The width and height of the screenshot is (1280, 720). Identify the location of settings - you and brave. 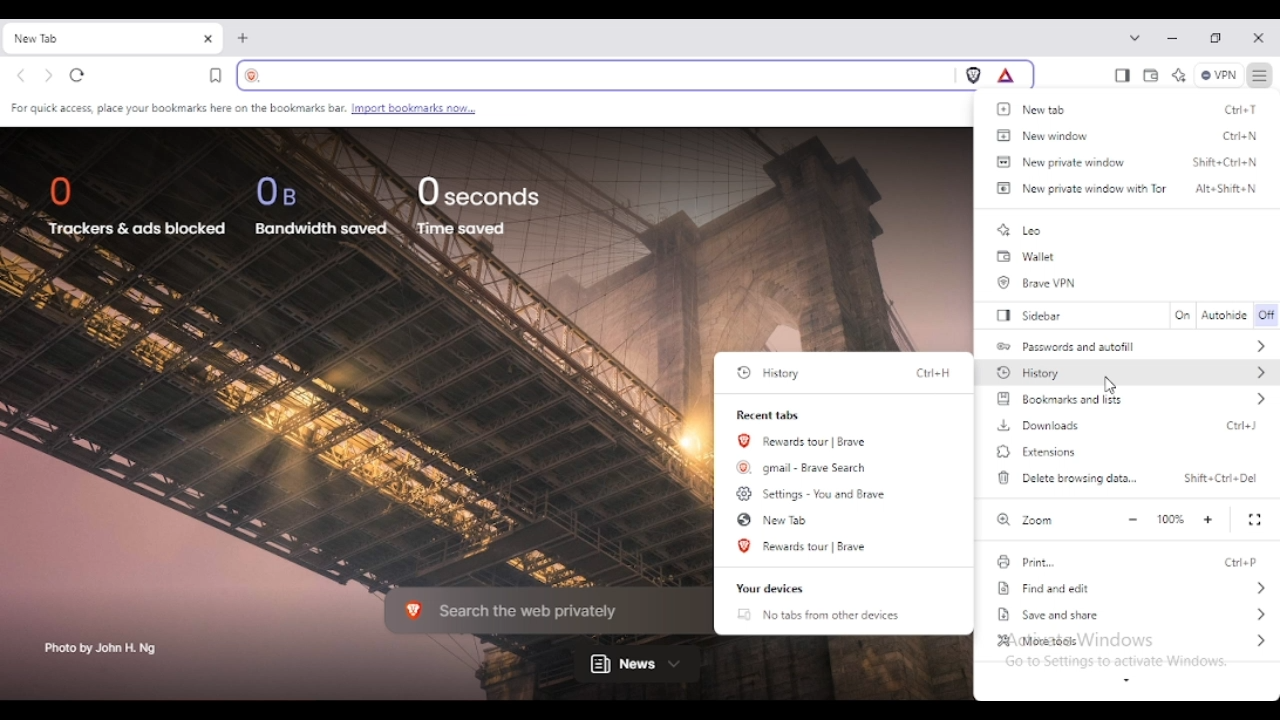
(813, 493).